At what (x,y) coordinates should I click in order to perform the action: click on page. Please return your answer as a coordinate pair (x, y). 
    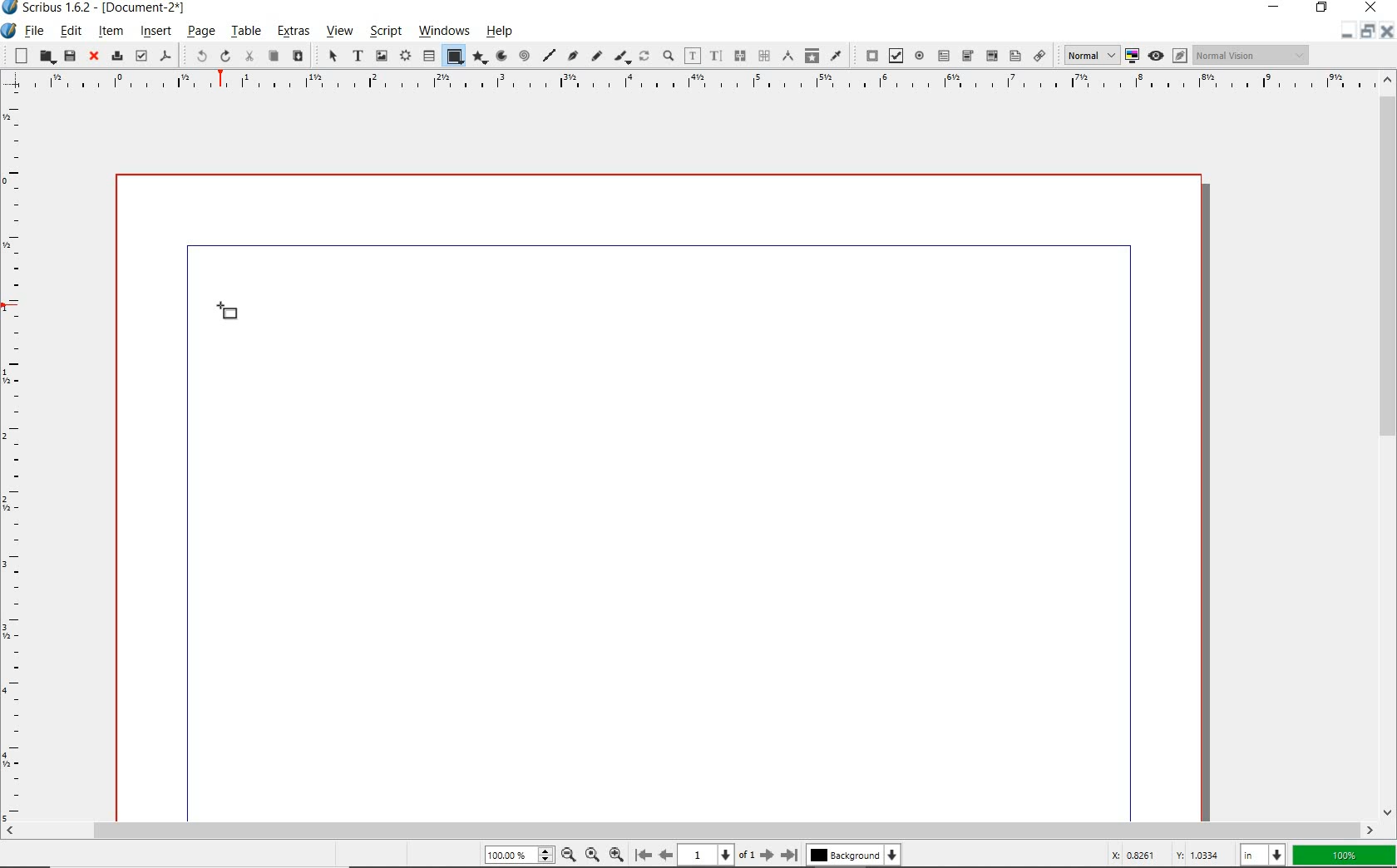
    Looking at the image, I should click on (201, 31).